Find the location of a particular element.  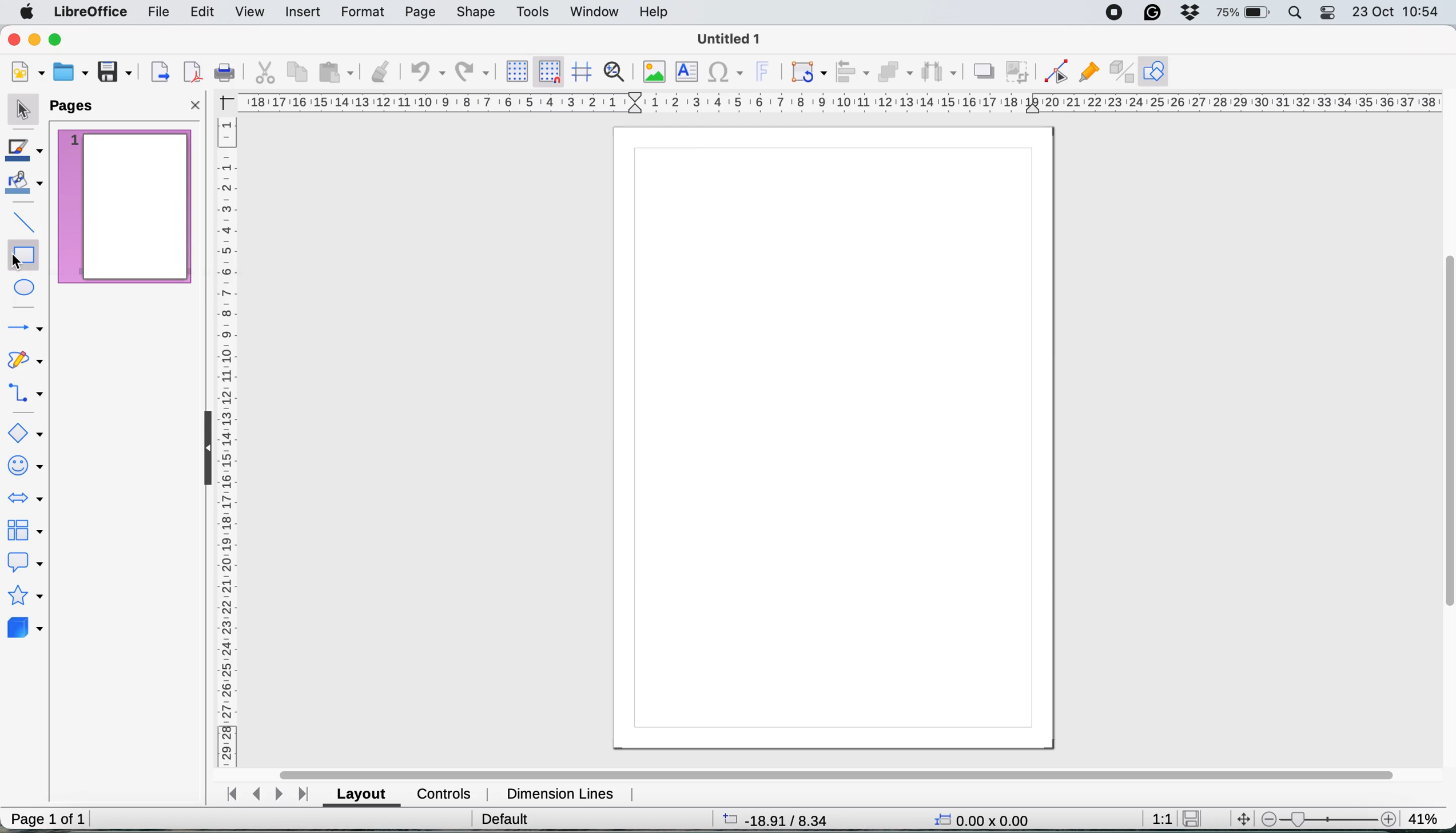

selection tool is located at coordinates (23, 112).